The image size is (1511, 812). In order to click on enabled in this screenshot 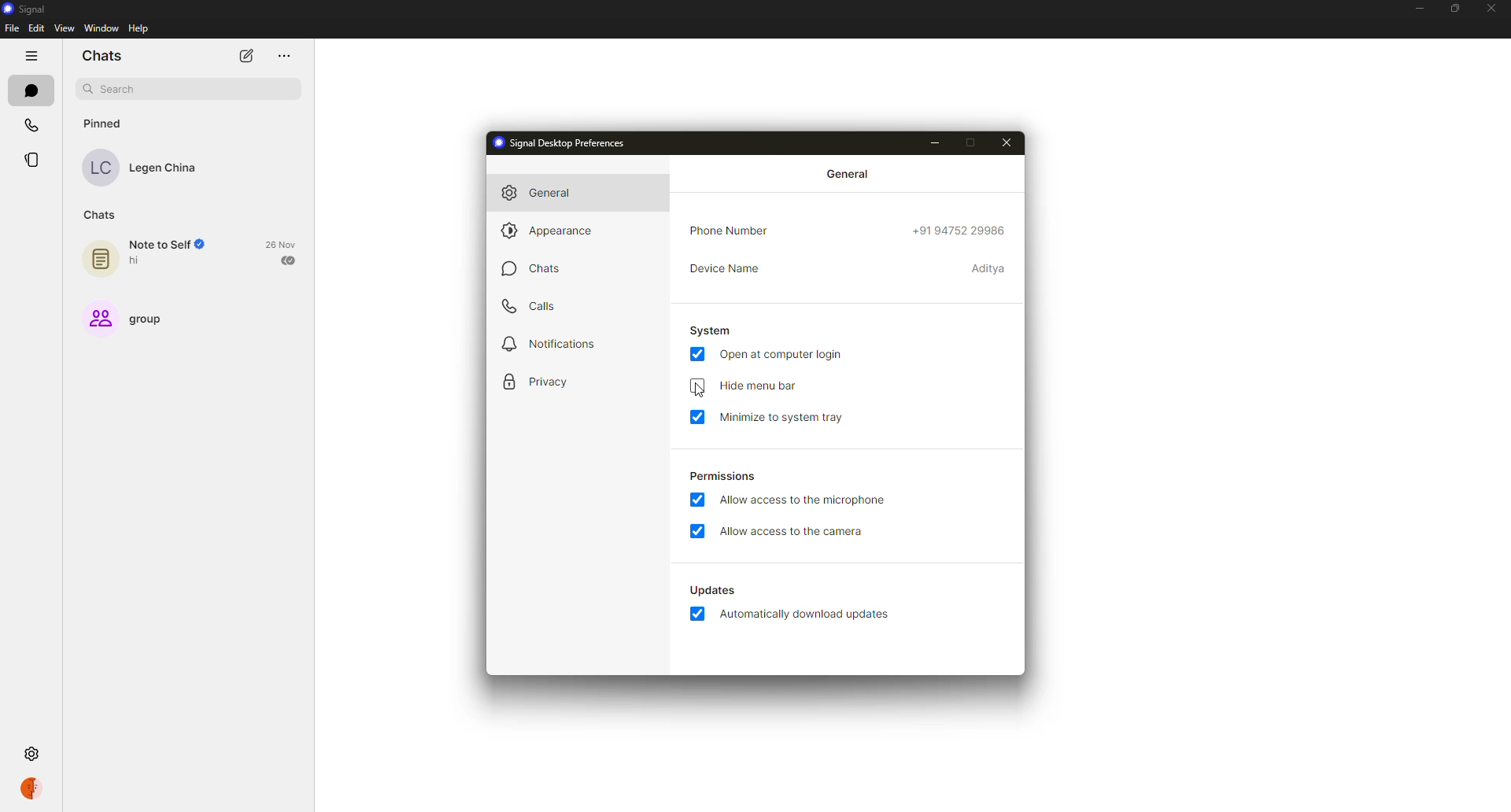, I will do `click(699, 353)`.